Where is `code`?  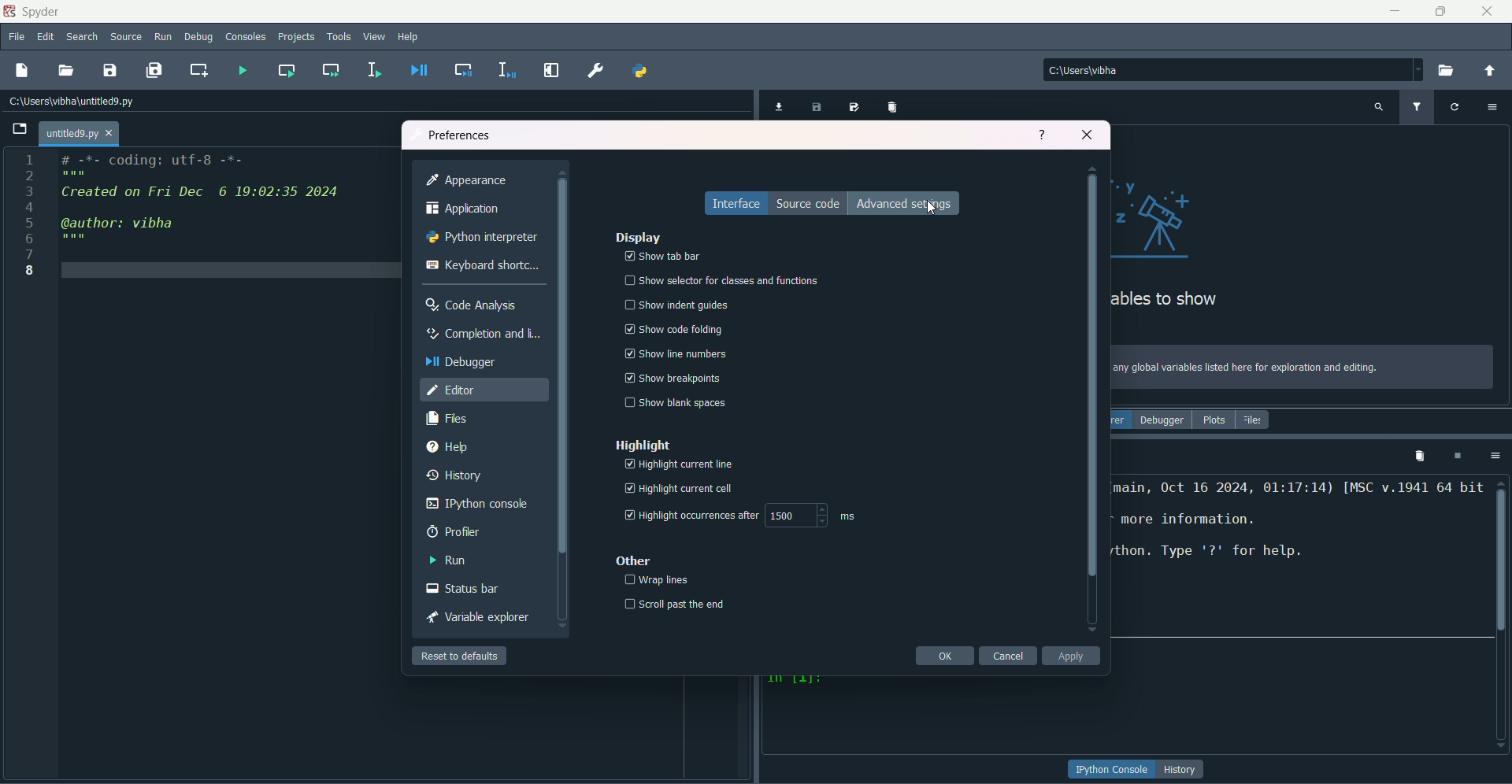 code is located at coordinates (202, 201).